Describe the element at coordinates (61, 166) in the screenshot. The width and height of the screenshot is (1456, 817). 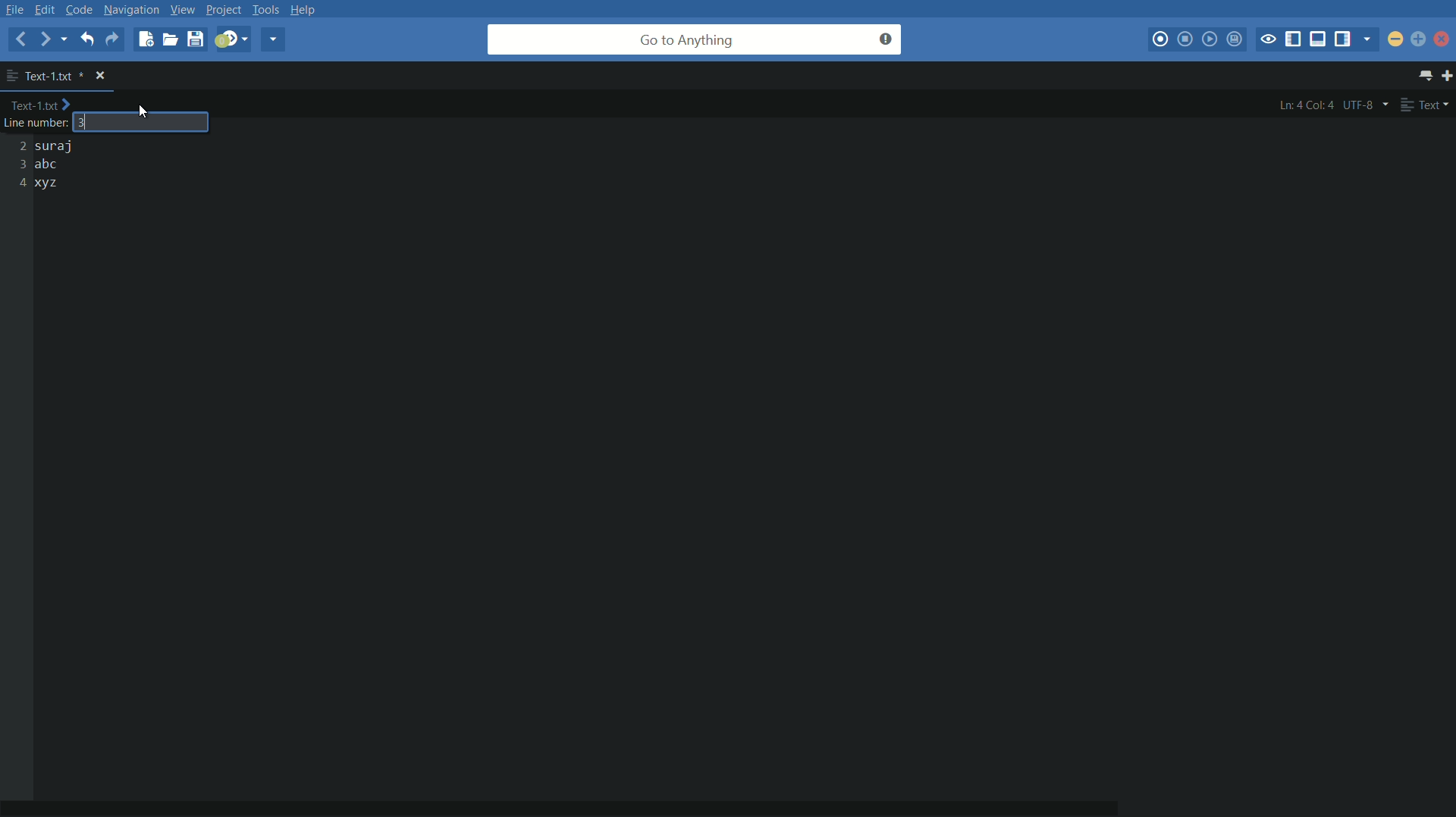
I see `suraj abc xyz` at that location.